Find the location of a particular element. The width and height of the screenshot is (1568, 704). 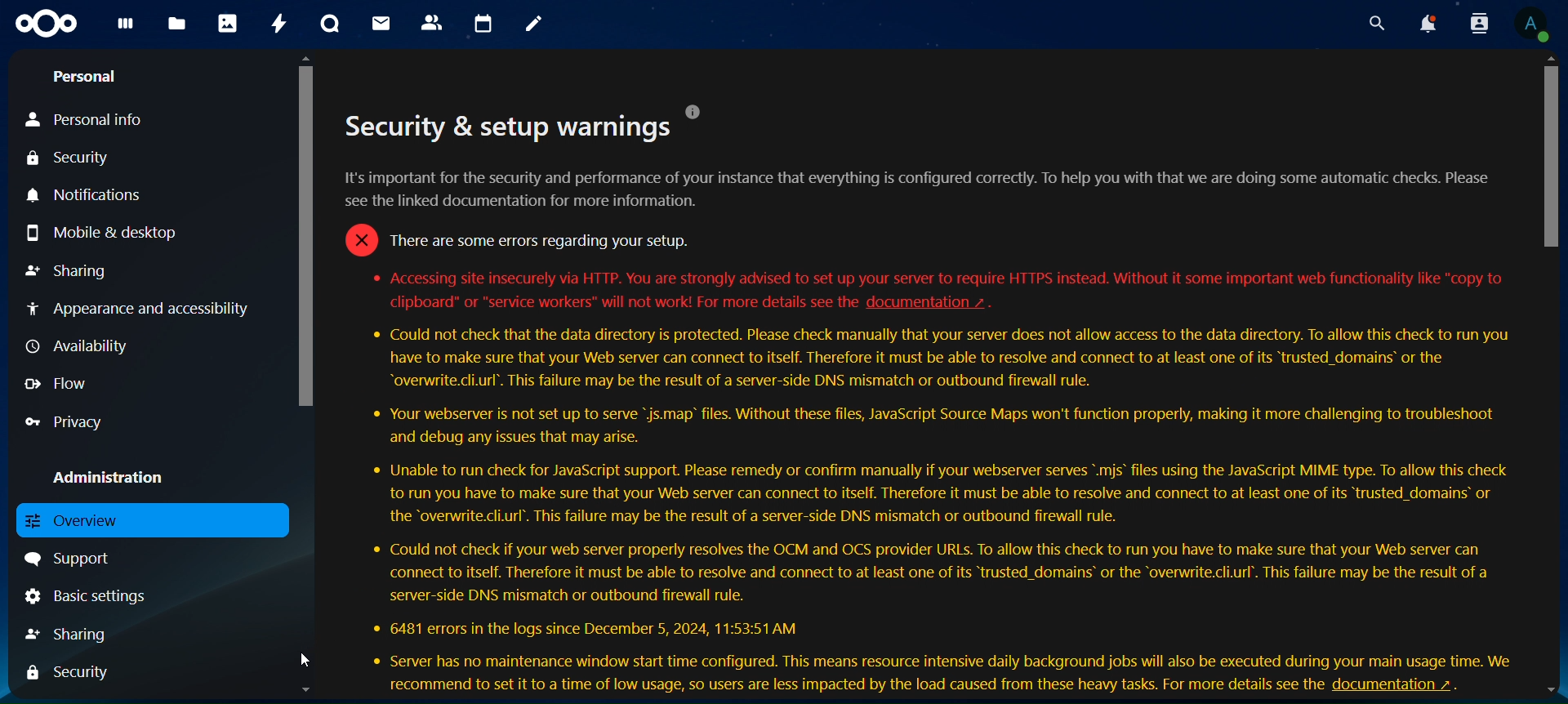

security is located at coordinates (72, 159).